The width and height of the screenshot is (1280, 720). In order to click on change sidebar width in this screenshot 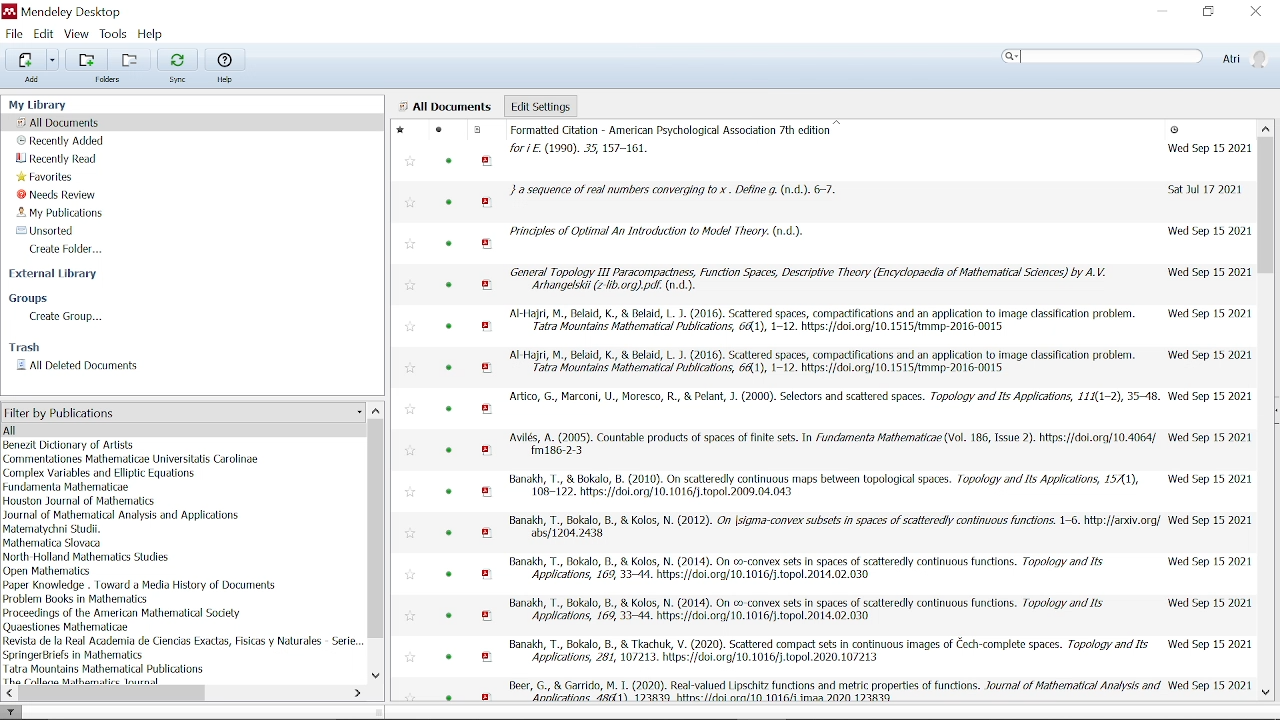, I will do `click(378, 711)`.